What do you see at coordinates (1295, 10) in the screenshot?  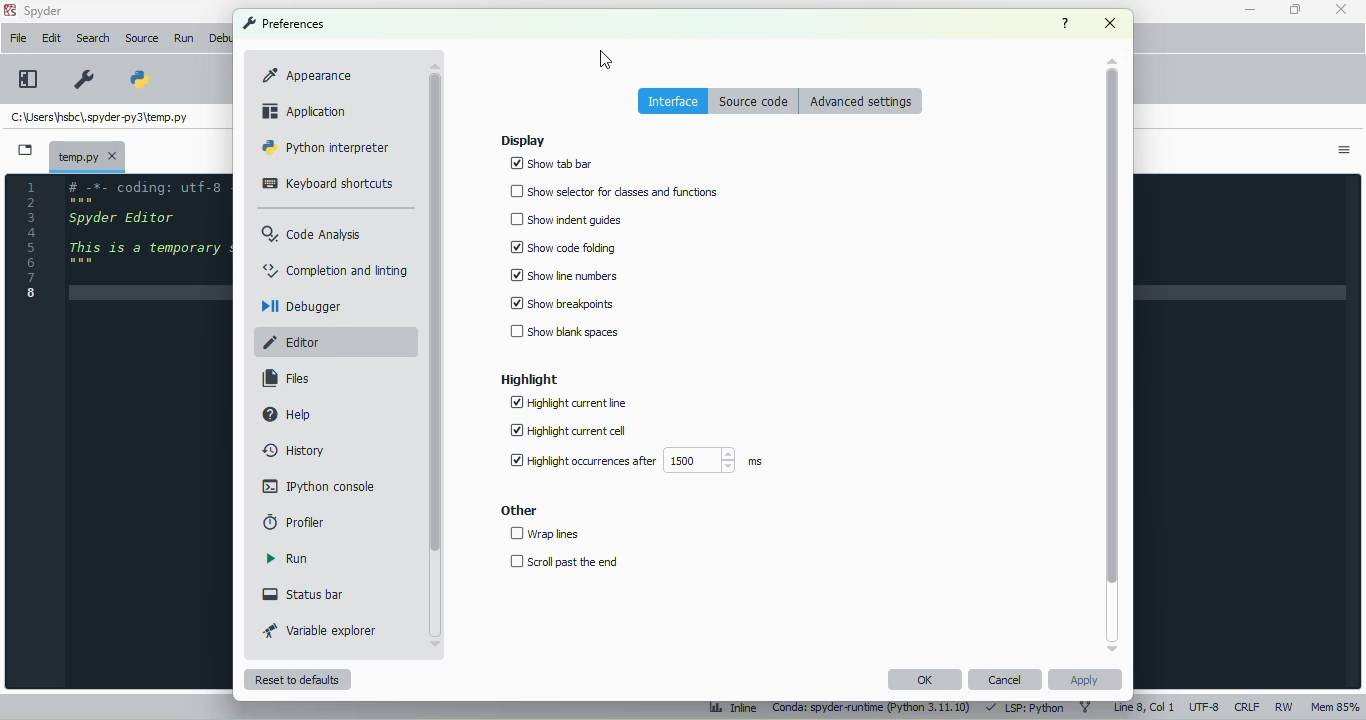 I see `maximize` at bounding box center [1295, 10].